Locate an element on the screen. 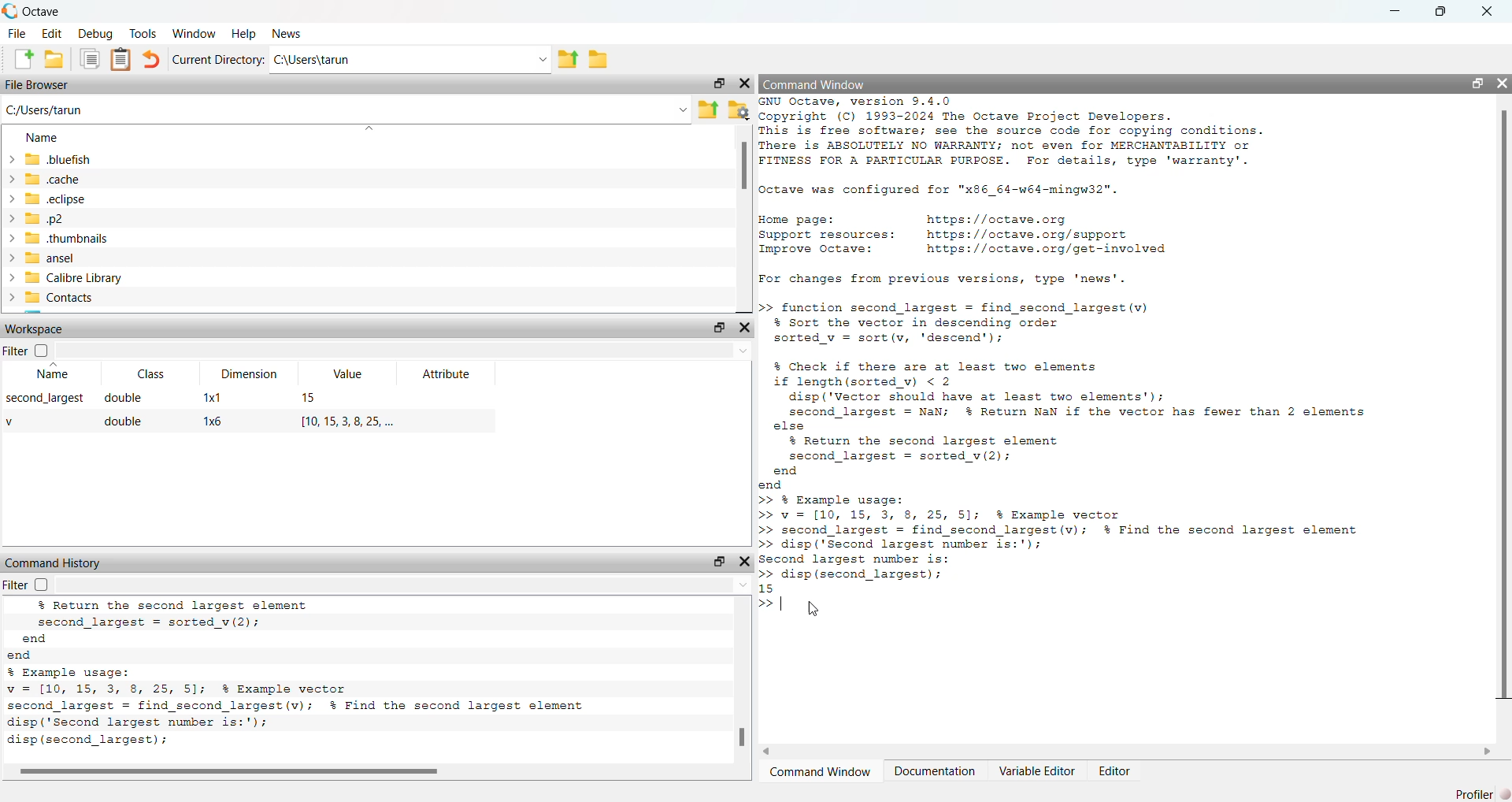 The height and width of the screenshot is (802, 1512). undo is located at coordinates (151, 59).